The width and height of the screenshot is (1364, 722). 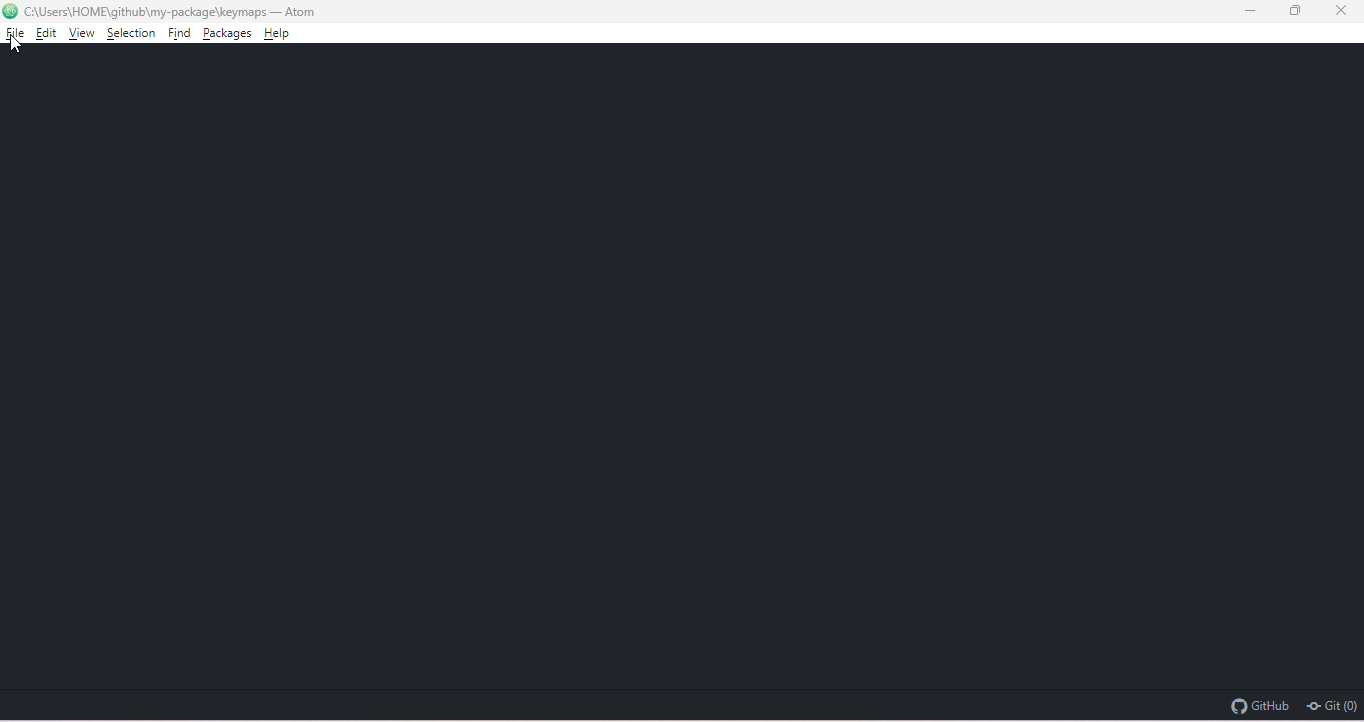 I want to click on c:\ users \home\github\my package\keymaps-atoms, so click(x=170, y=11).